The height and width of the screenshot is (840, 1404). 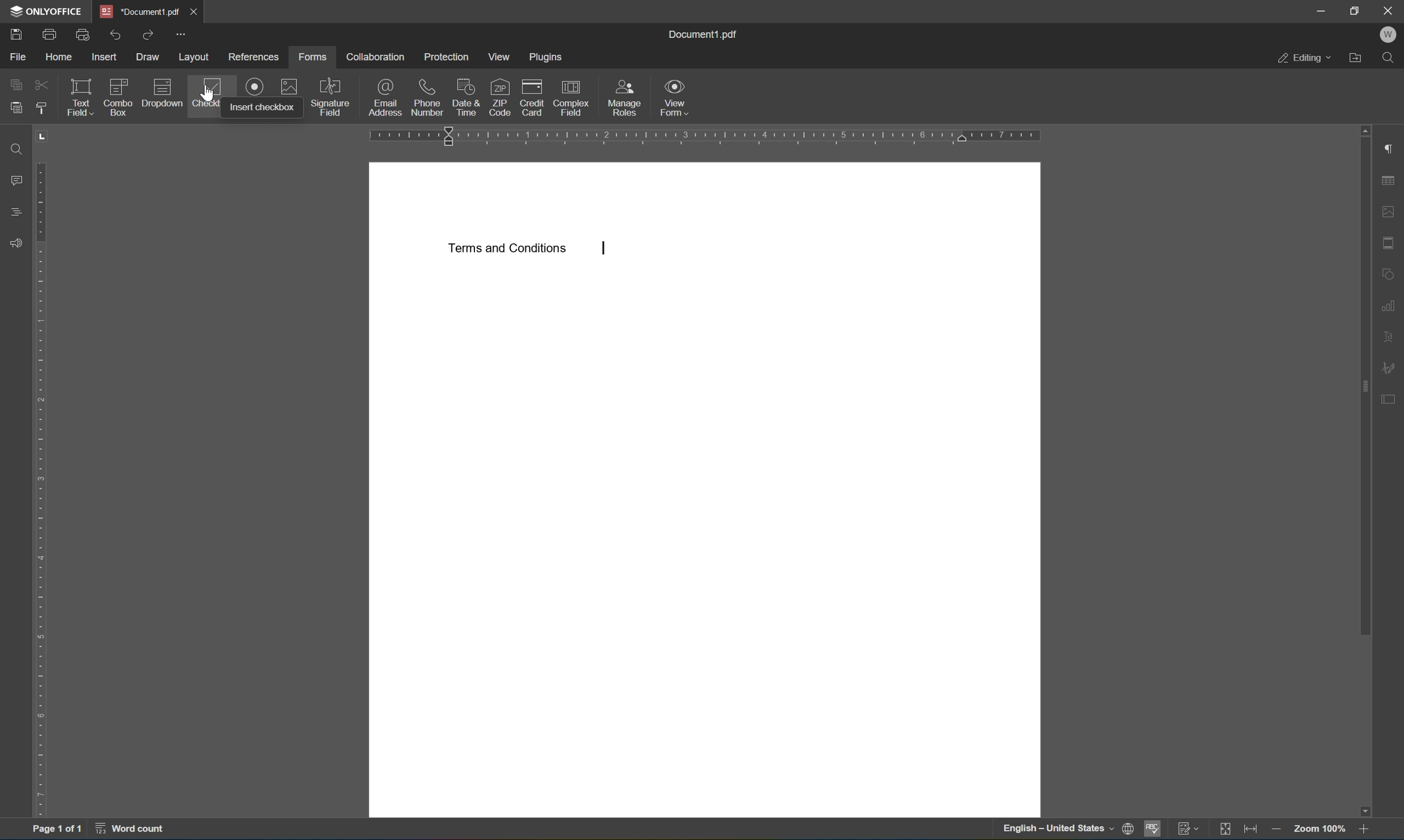 What do you see at coordinates (59, 56) in the screenshot?
I see `home` at bounding box center [59, 56].